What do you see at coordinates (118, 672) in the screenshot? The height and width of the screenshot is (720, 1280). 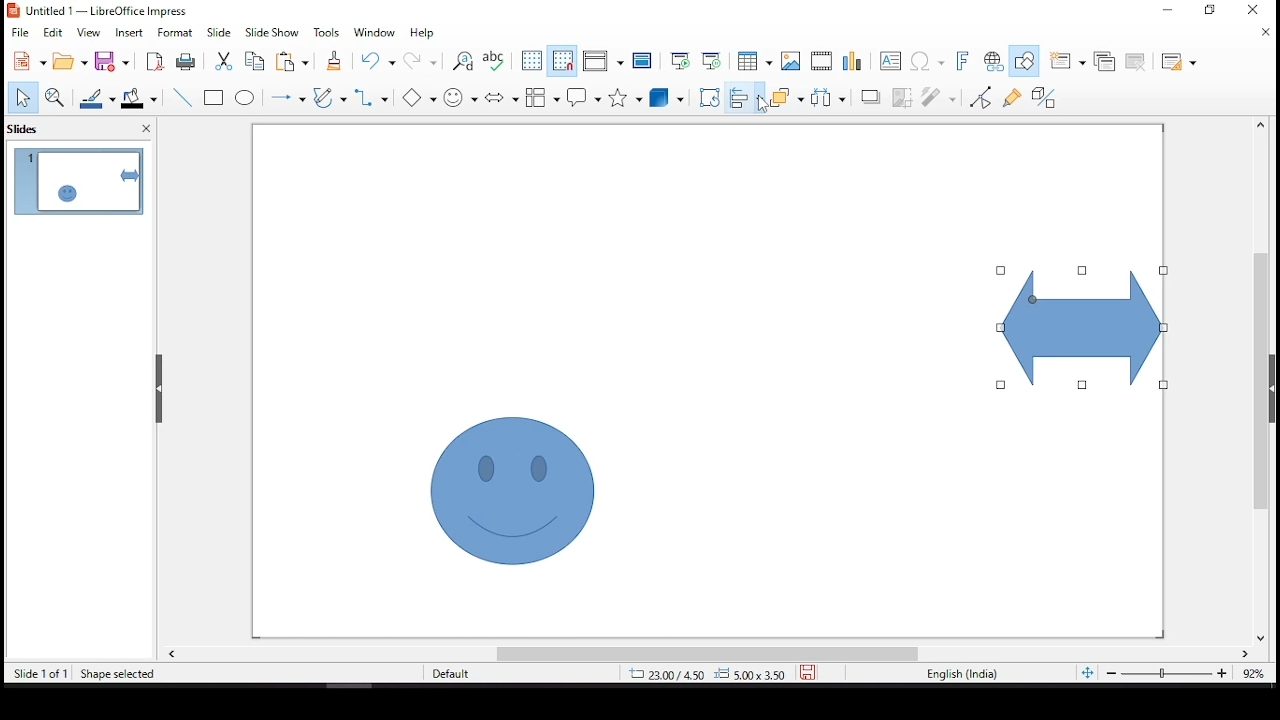 I see `shape selected` at bounding box center [118, 672].